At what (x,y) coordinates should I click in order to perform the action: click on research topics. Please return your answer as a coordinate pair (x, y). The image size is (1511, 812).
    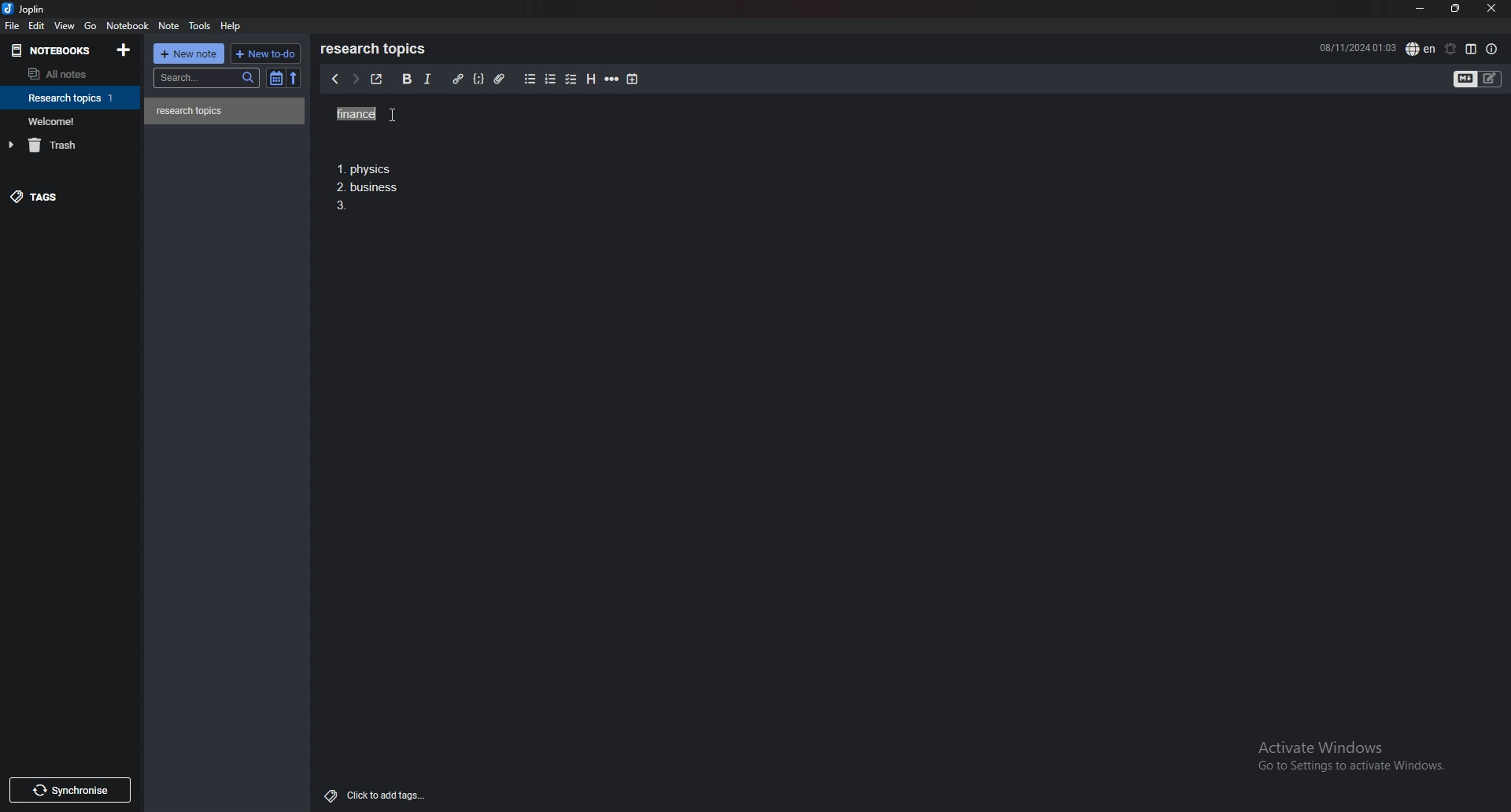
    Looking at the image, I should click on (376, 49).